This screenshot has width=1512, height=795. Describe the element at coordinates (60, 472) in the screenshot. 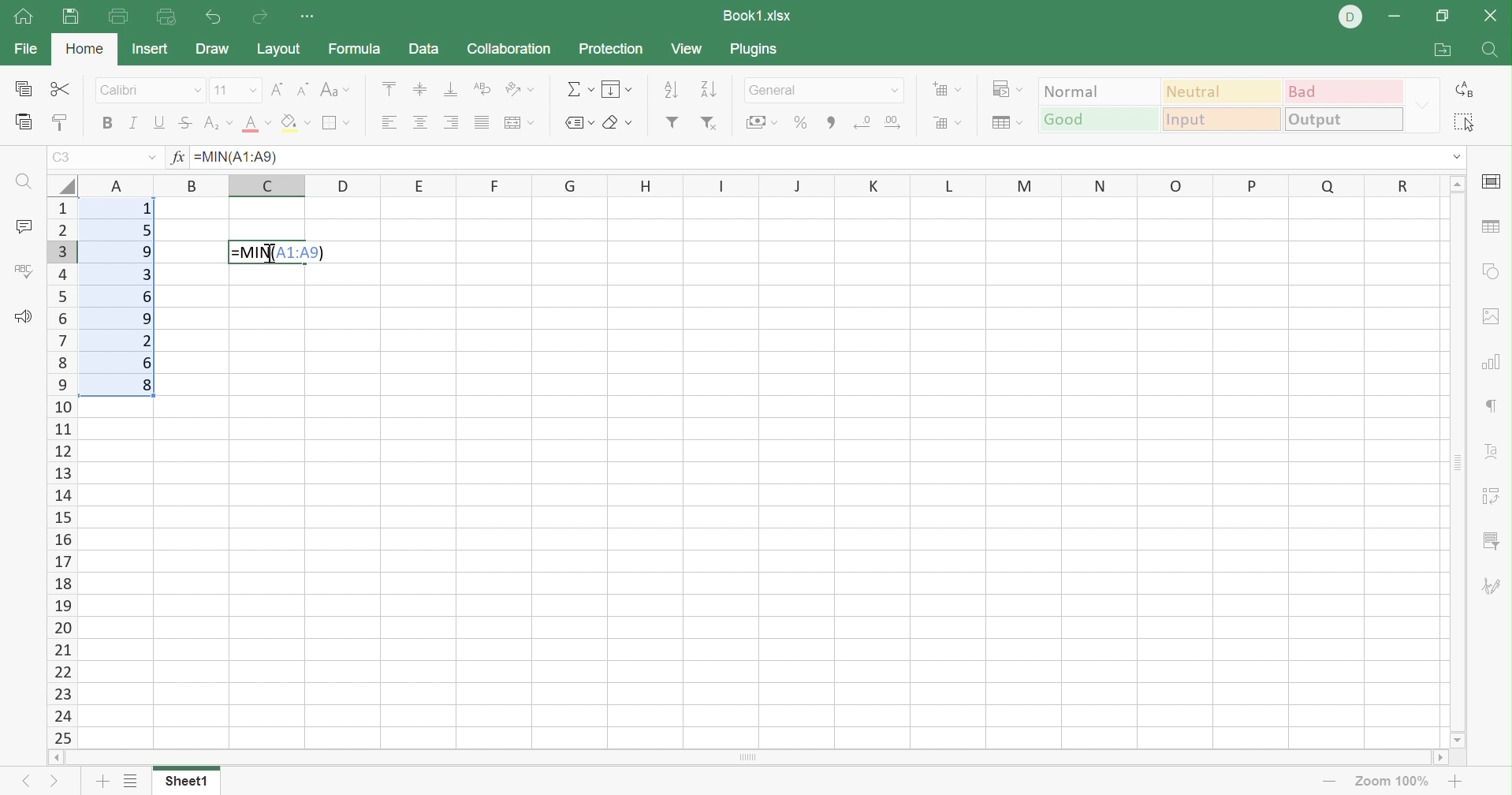

I see `Row numbers` at that location.